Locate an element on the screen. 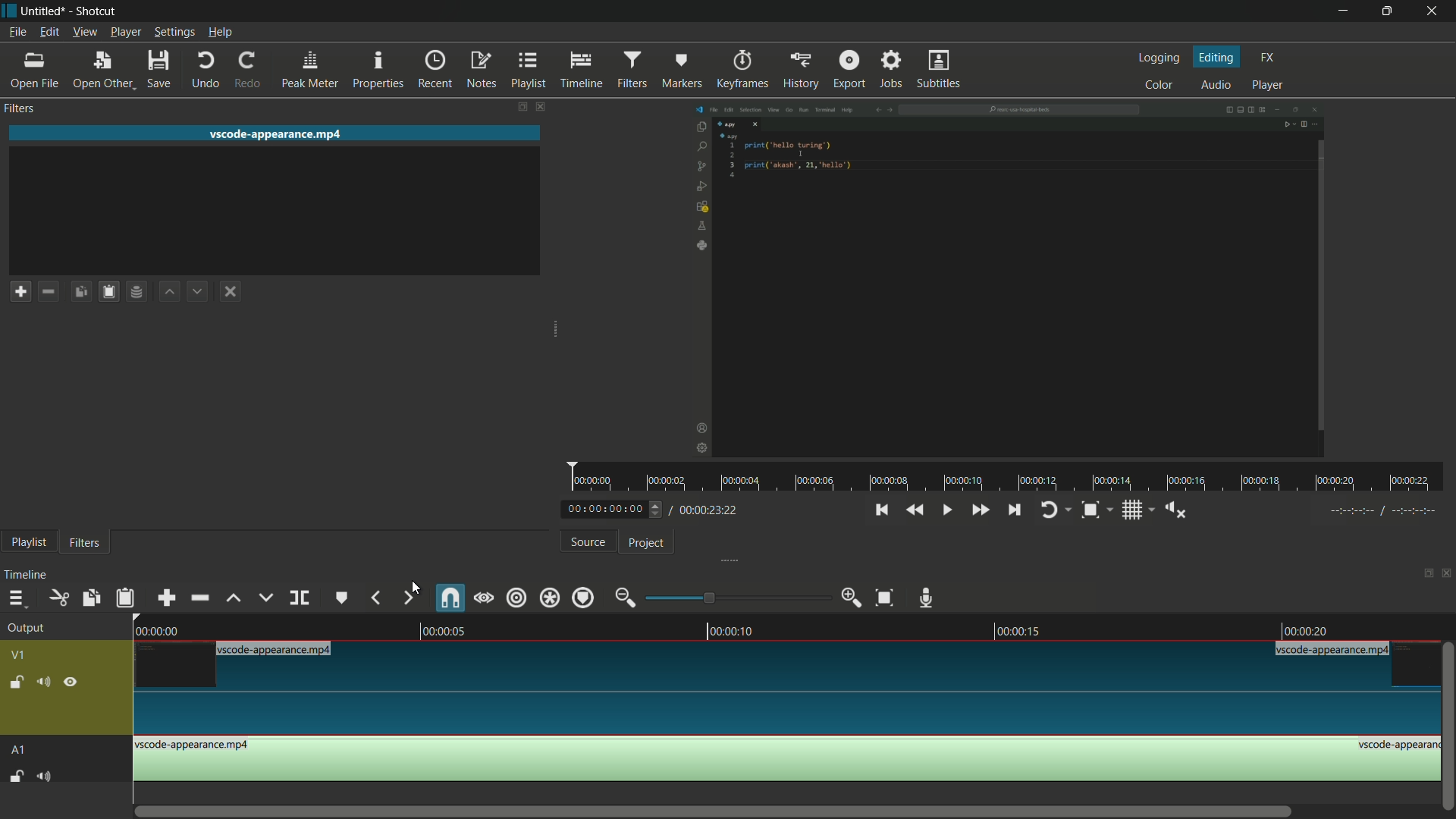 The width and height of the screenshot is (1456, 819). create or edit marker is located at coordinates (340, 598).